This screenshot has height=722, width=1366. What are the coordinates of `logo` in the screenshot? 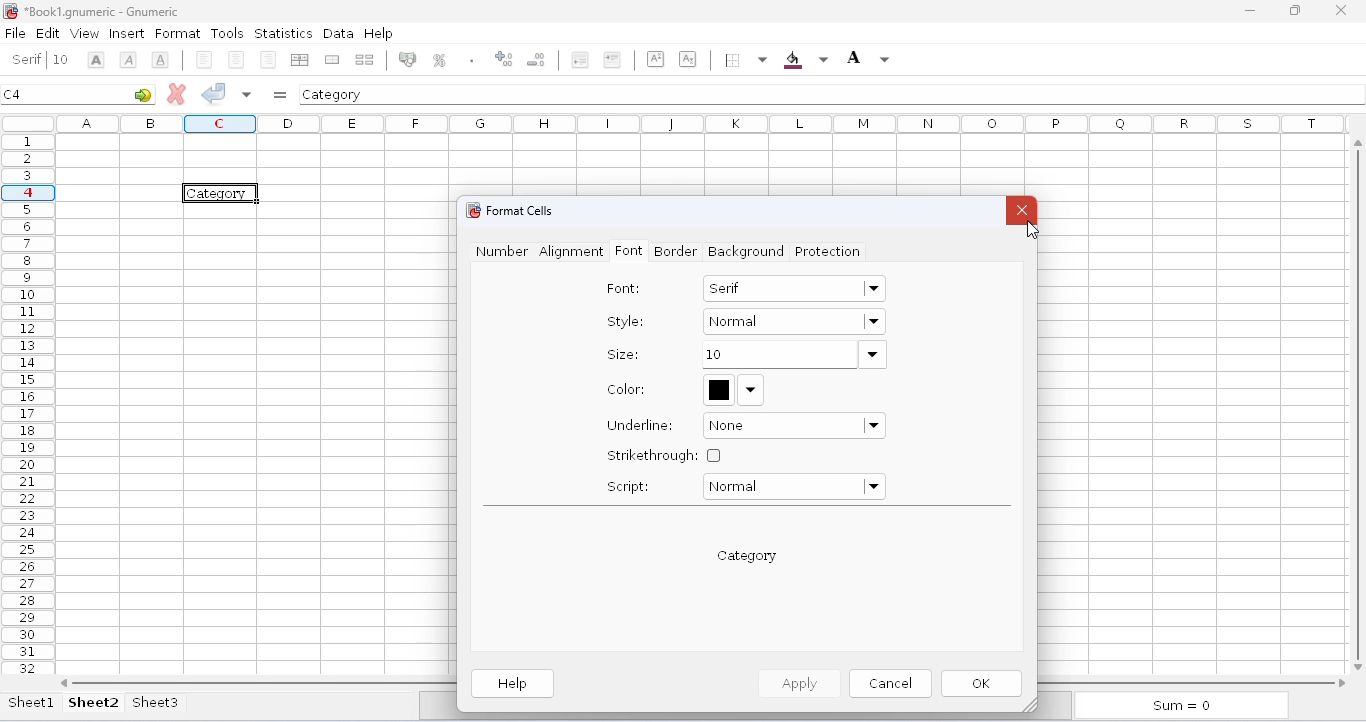 It's located at (10, 11).